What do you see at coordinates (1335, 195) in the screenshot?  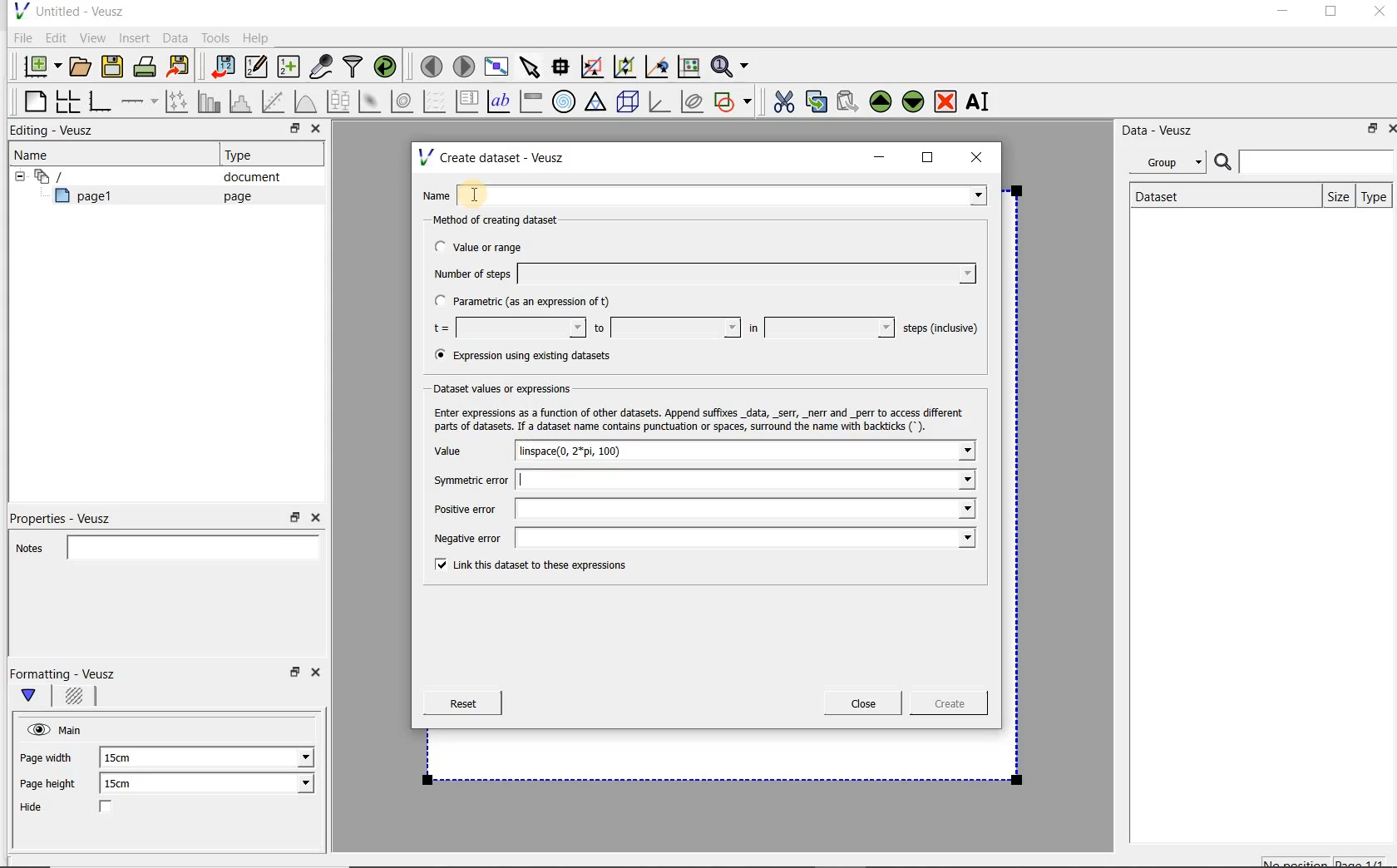 I see `size` at bounding box center [1335, 195].